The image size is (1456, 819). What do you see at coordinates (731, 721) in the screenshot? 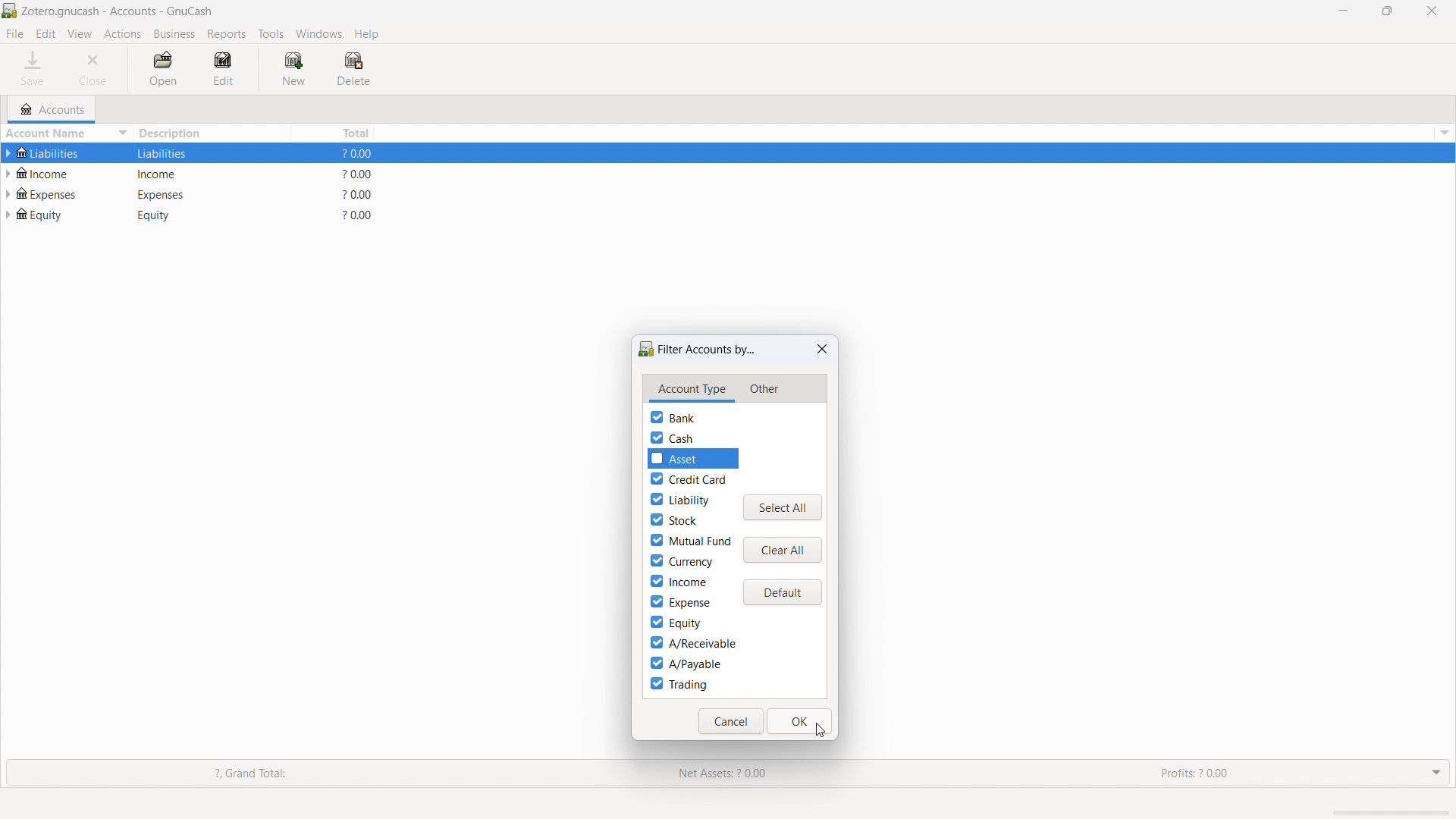
I see `cancel` at bounding box center [731, 721].